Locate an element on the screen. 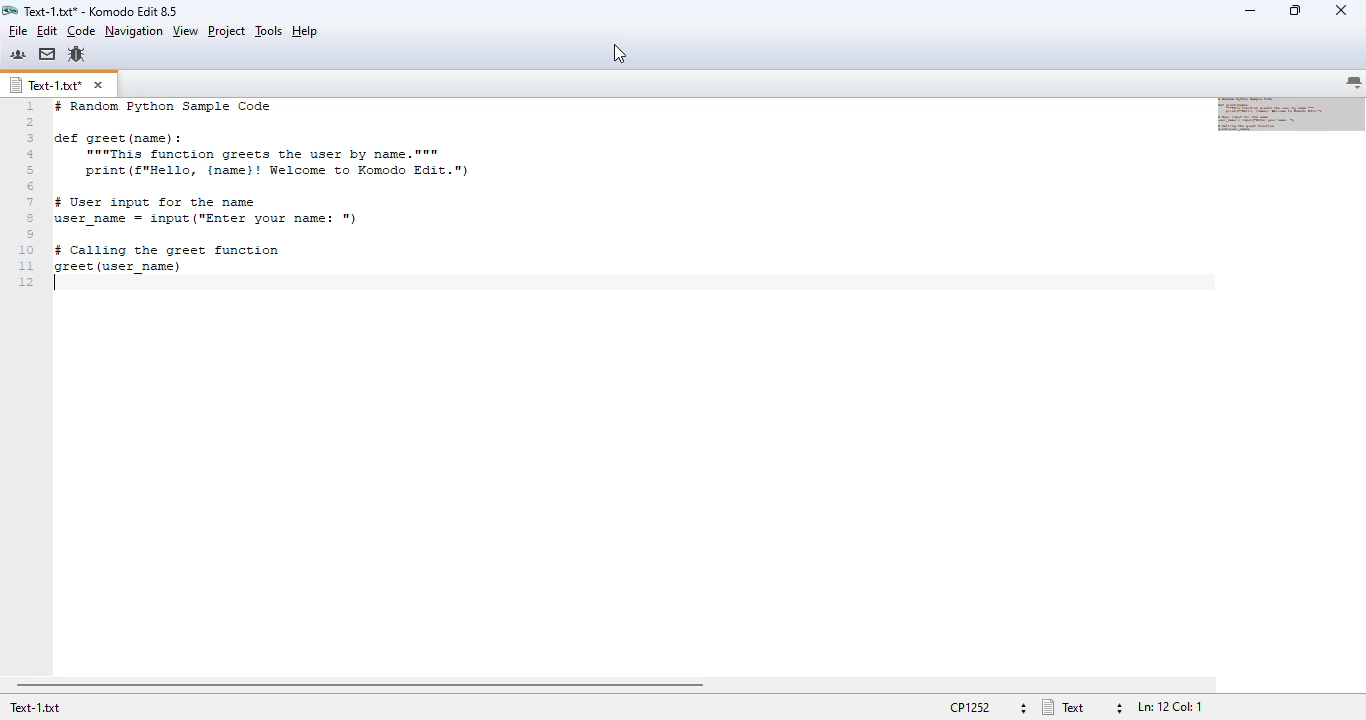 This screenshot has width=1366, height=720. project is located at coordinates (226, 31).